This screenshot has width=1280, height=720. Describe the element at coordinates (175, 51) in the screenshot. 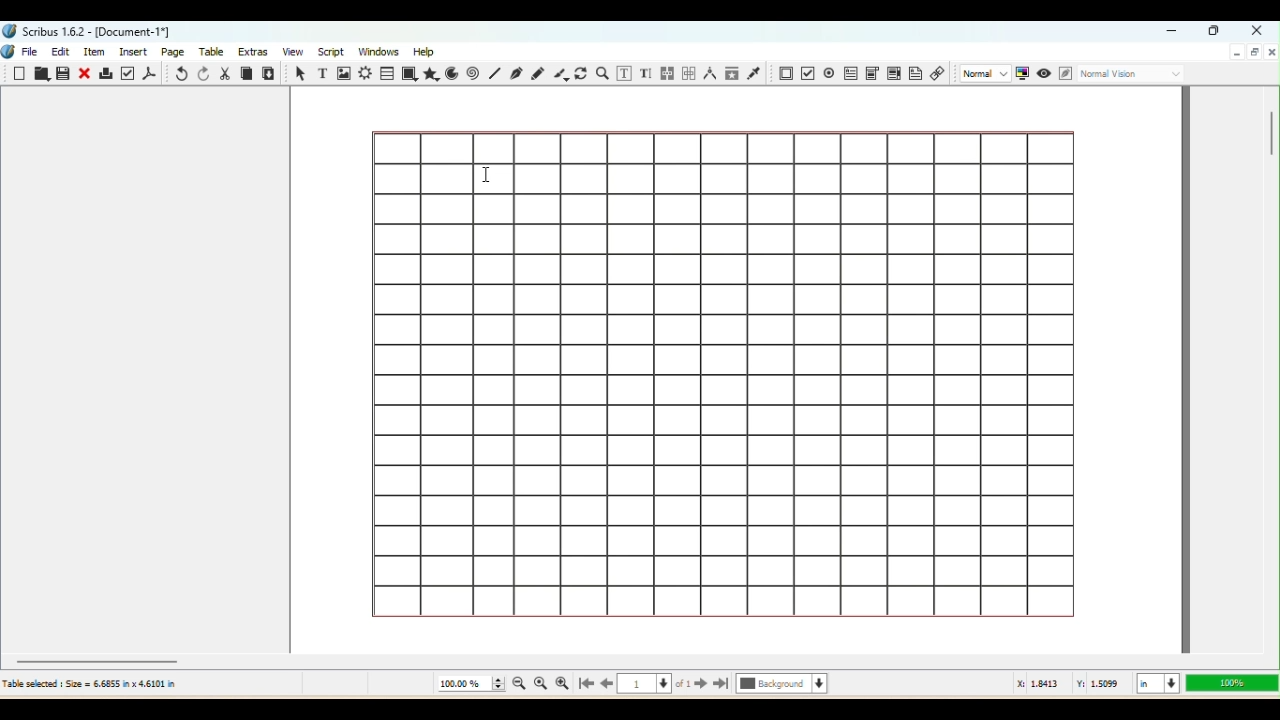

I see `Page` at that location.